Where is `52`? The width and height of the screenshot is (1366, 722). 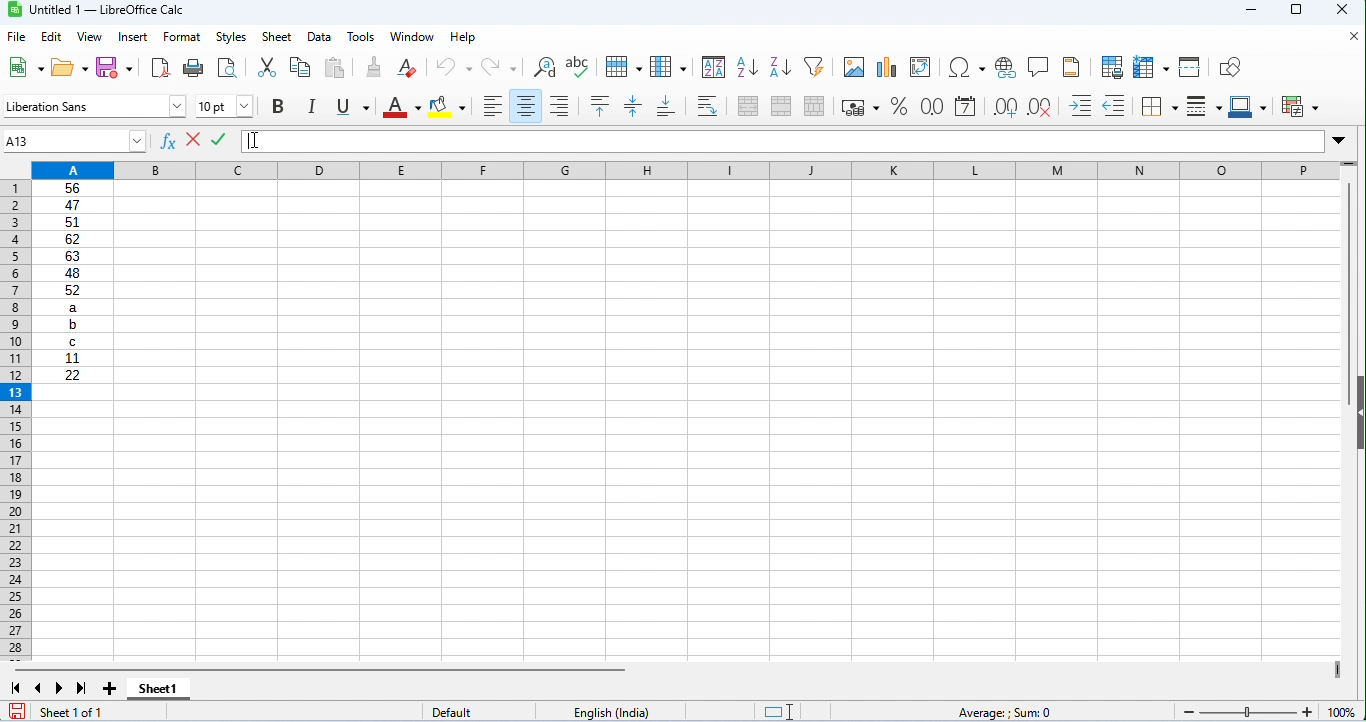
52 is located at coordinates (73, 290).